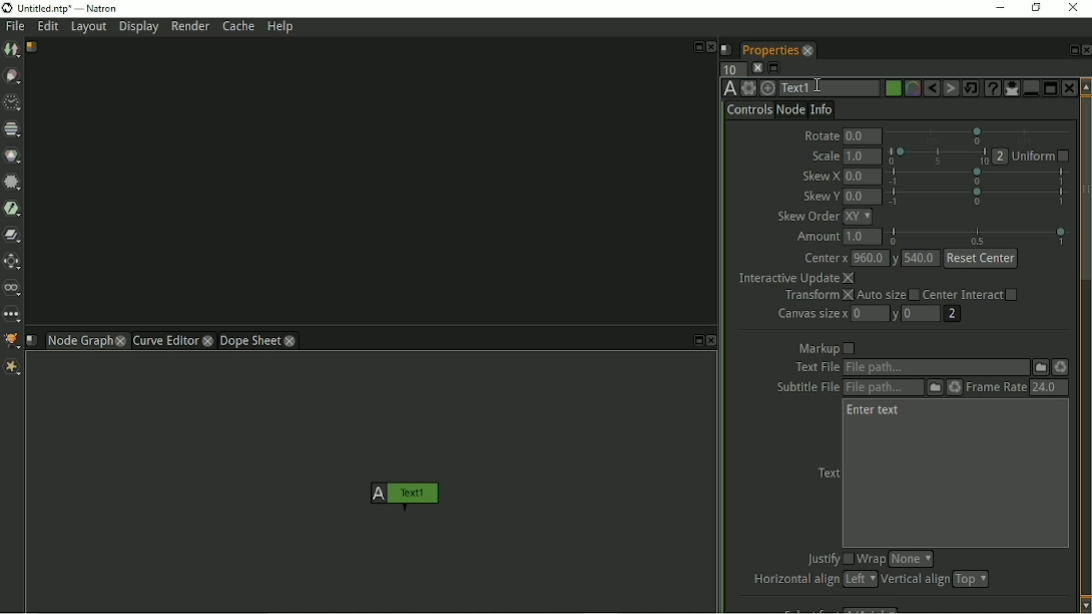 The height and width of the screenshot is (614, 1092). Describe the element at coordinates (796, 278) in the screenshot. I see `Interactive Update` at that location.